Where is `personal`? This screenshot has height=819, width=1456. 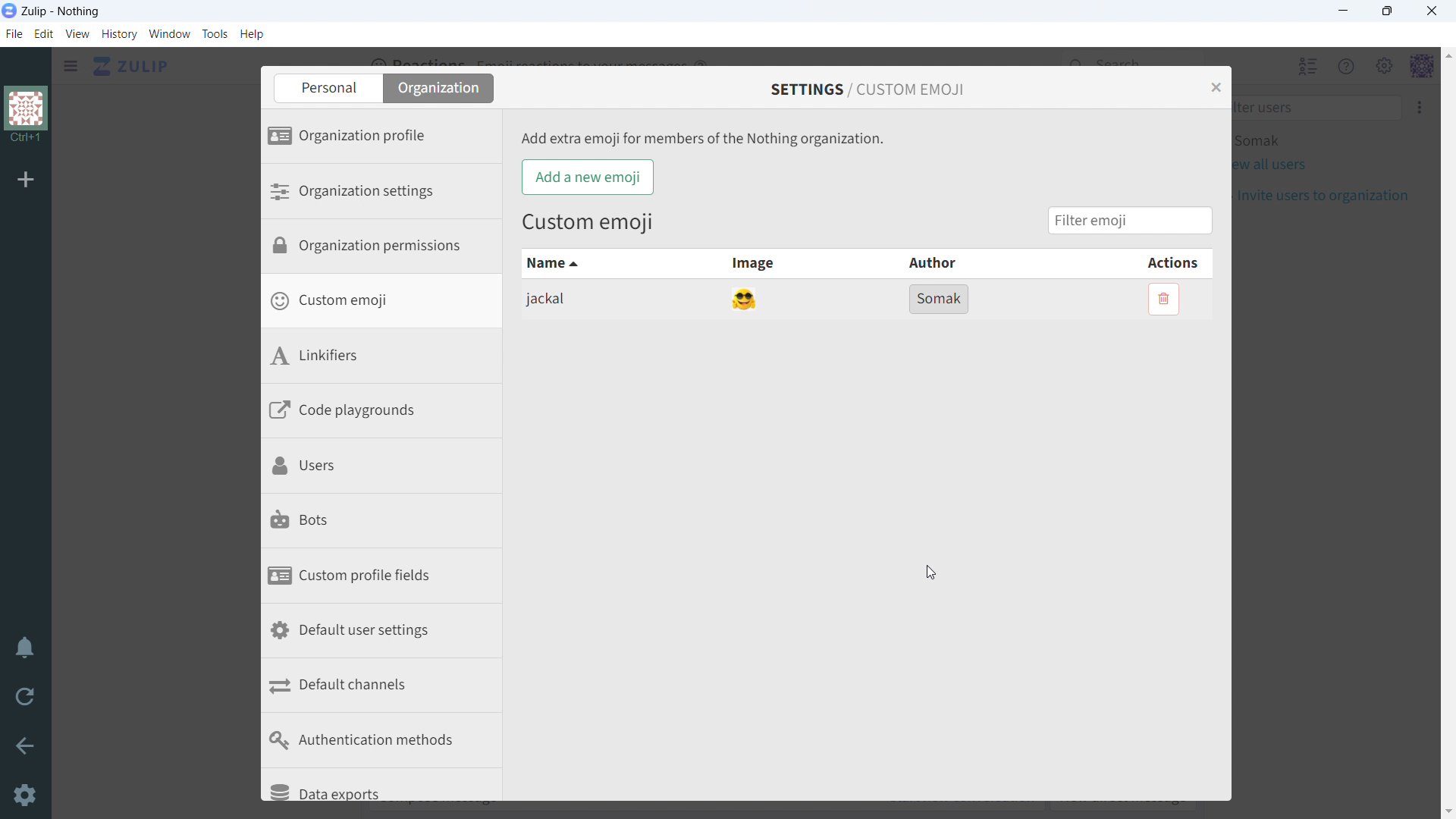
personal is located at coordinates (334, 88).